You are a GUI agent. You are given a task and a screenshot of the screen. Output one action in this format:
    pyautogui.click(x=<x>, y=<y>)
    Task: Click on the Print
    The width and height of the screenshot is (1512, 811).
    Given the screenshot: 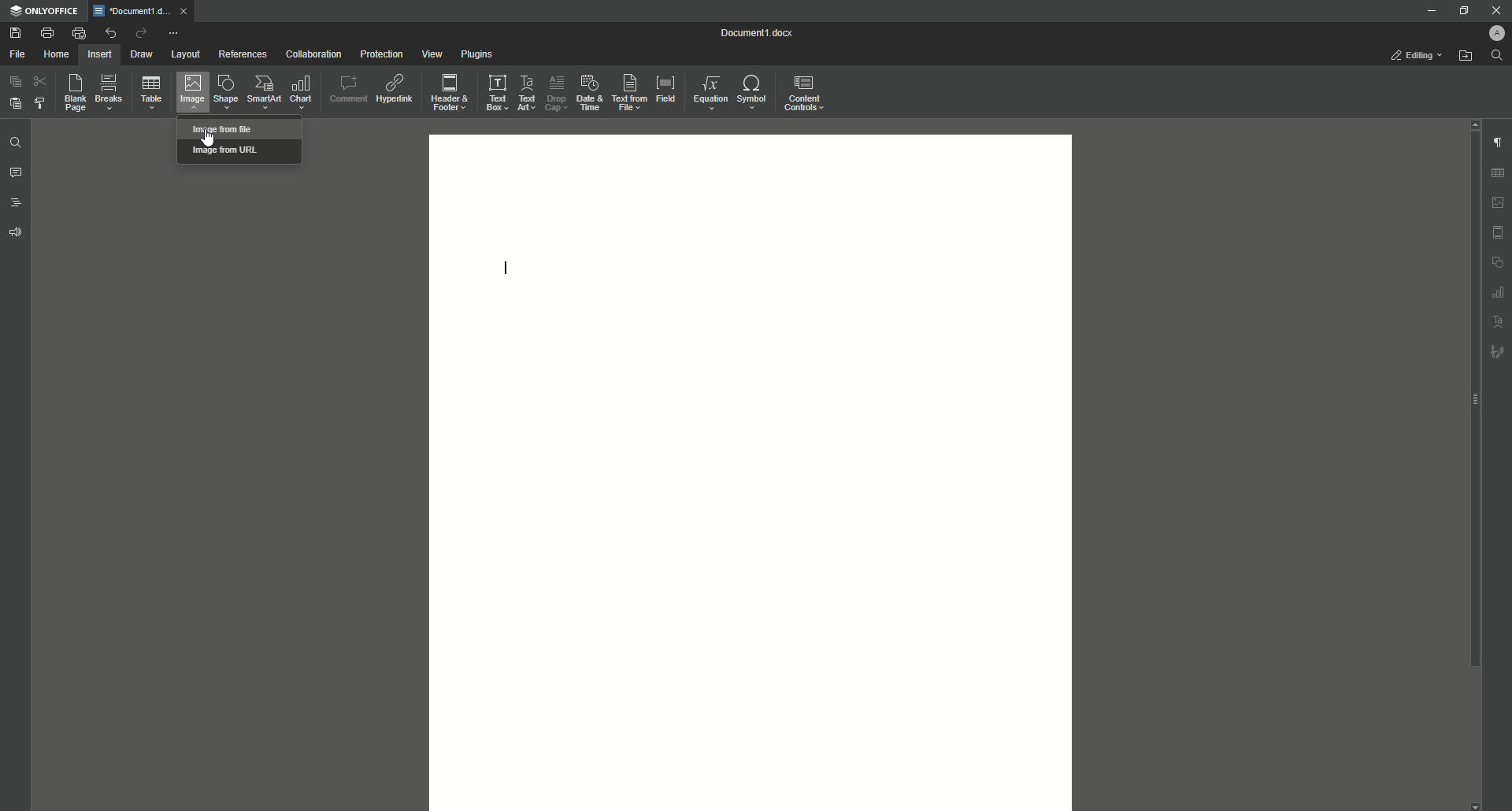 What is the action you would take?
    pyautogui.click(x=47, y=32)
    